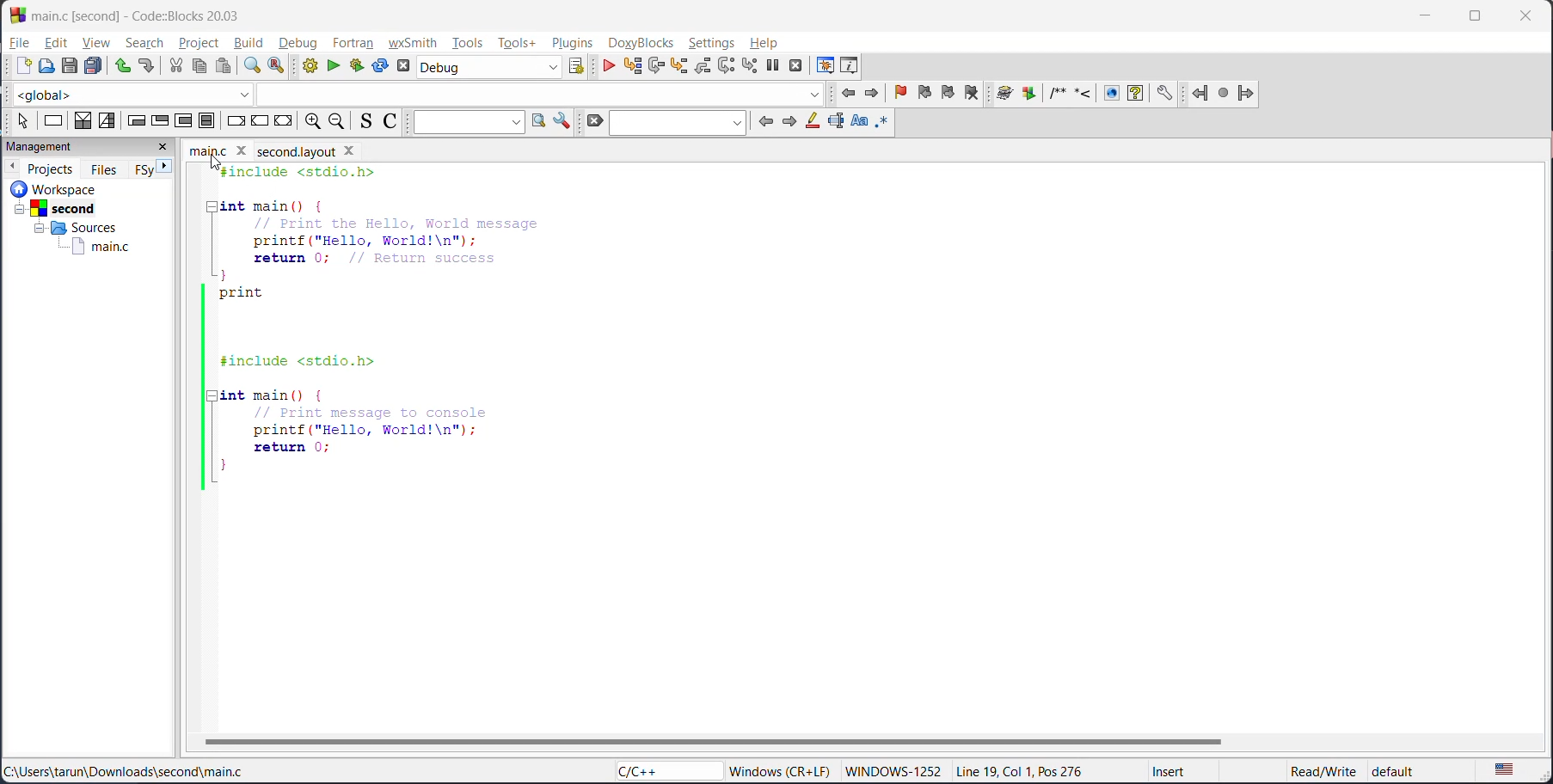 Image resolution: width=1553 pixels, height=784 pixels. I want to click on minimize, so click(1423, 17).